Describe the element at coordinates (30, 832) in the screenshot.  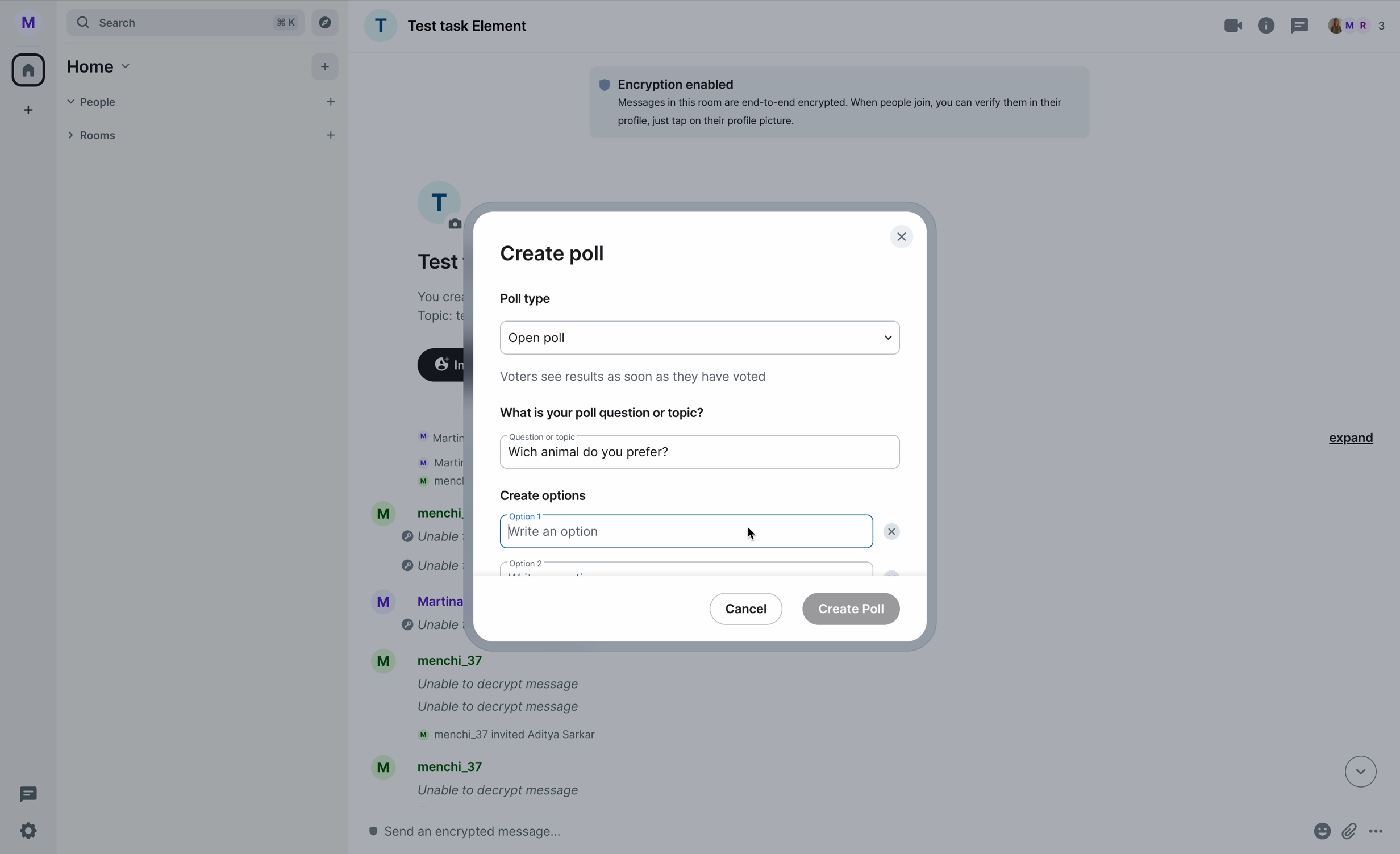
I see `settings` at that location.